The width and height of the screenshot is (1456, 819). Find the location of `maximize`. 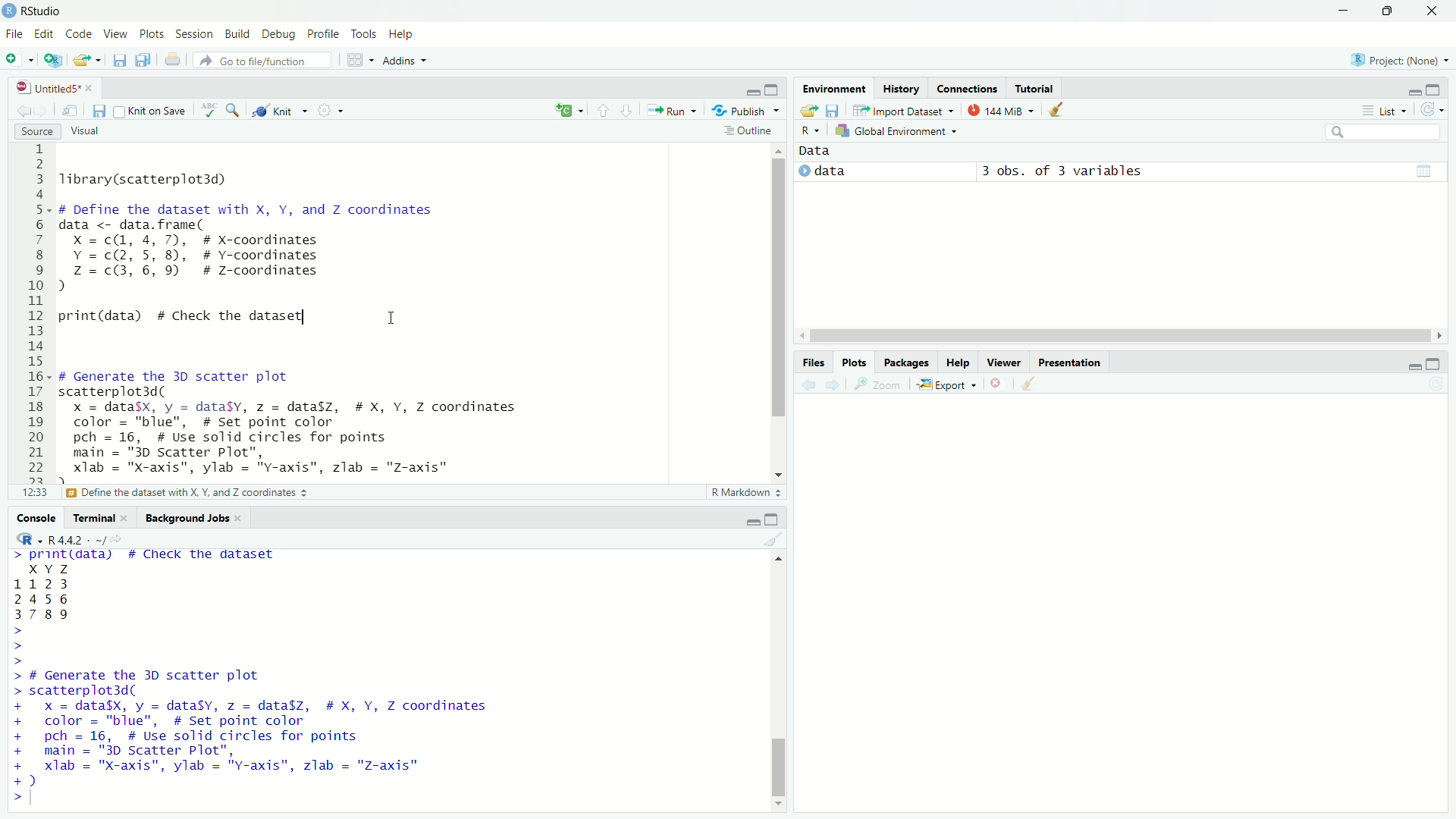

maximize is located at coordinates (773, 518).